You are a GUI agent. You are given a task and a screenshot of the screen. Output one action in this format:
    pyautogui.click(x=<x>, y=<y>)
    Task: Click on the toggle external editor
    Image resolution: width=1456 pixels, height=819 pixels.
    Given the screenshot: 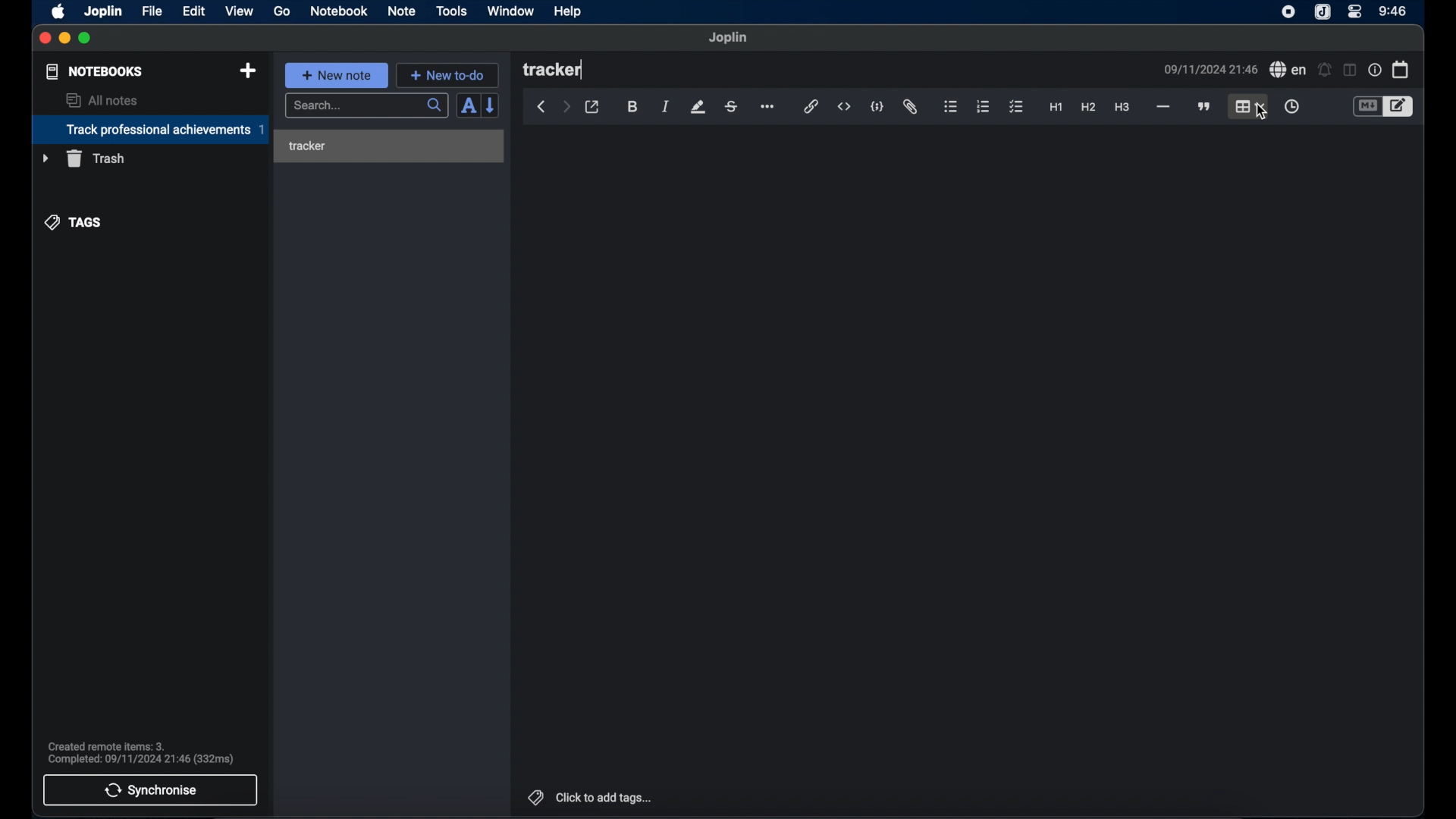 What is the action you would take?
    pyautogui.click(x=592, y=107)
    